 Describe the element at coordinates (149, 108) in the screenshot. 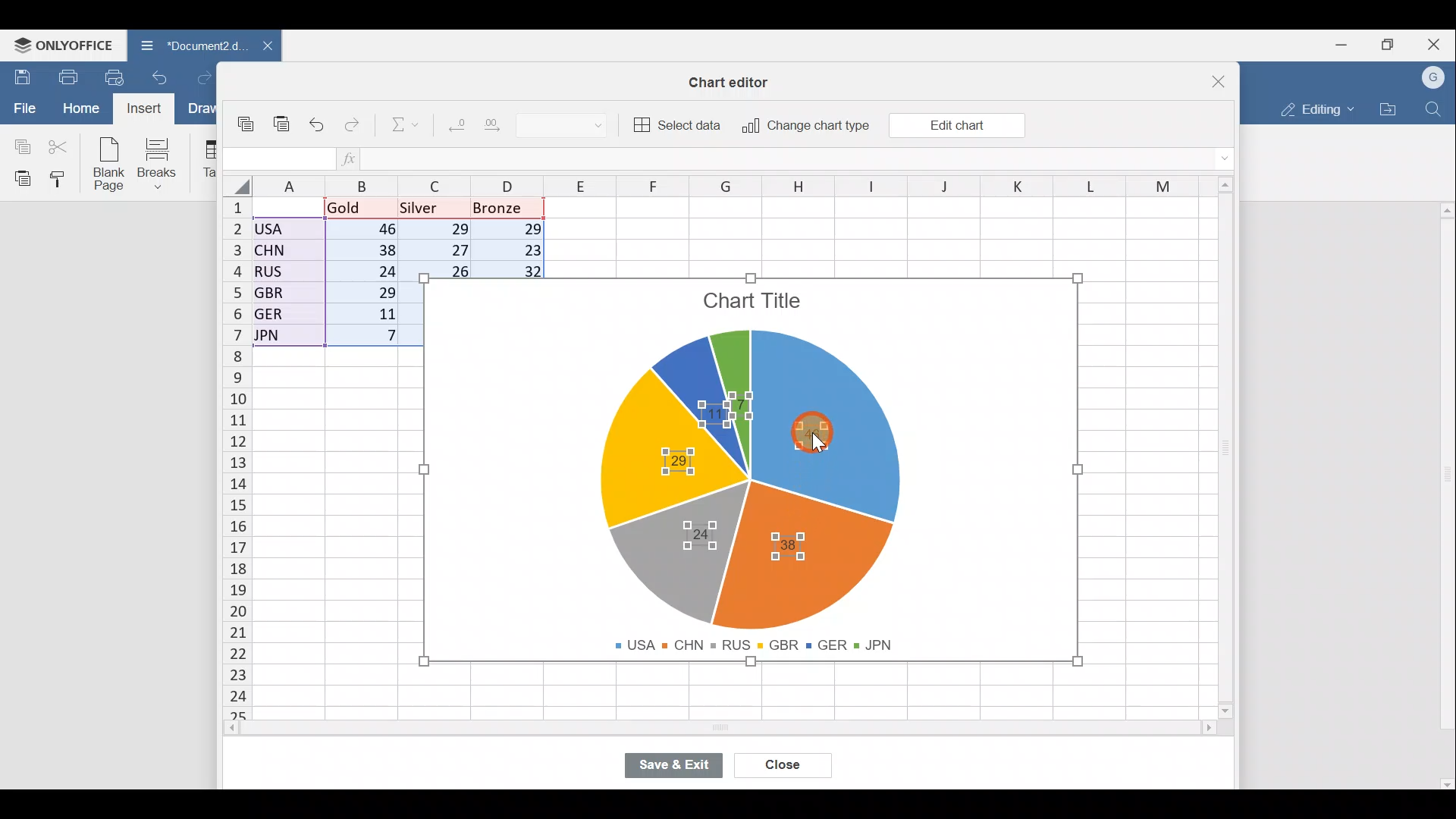

I see `Cursor on Insert` at that location.